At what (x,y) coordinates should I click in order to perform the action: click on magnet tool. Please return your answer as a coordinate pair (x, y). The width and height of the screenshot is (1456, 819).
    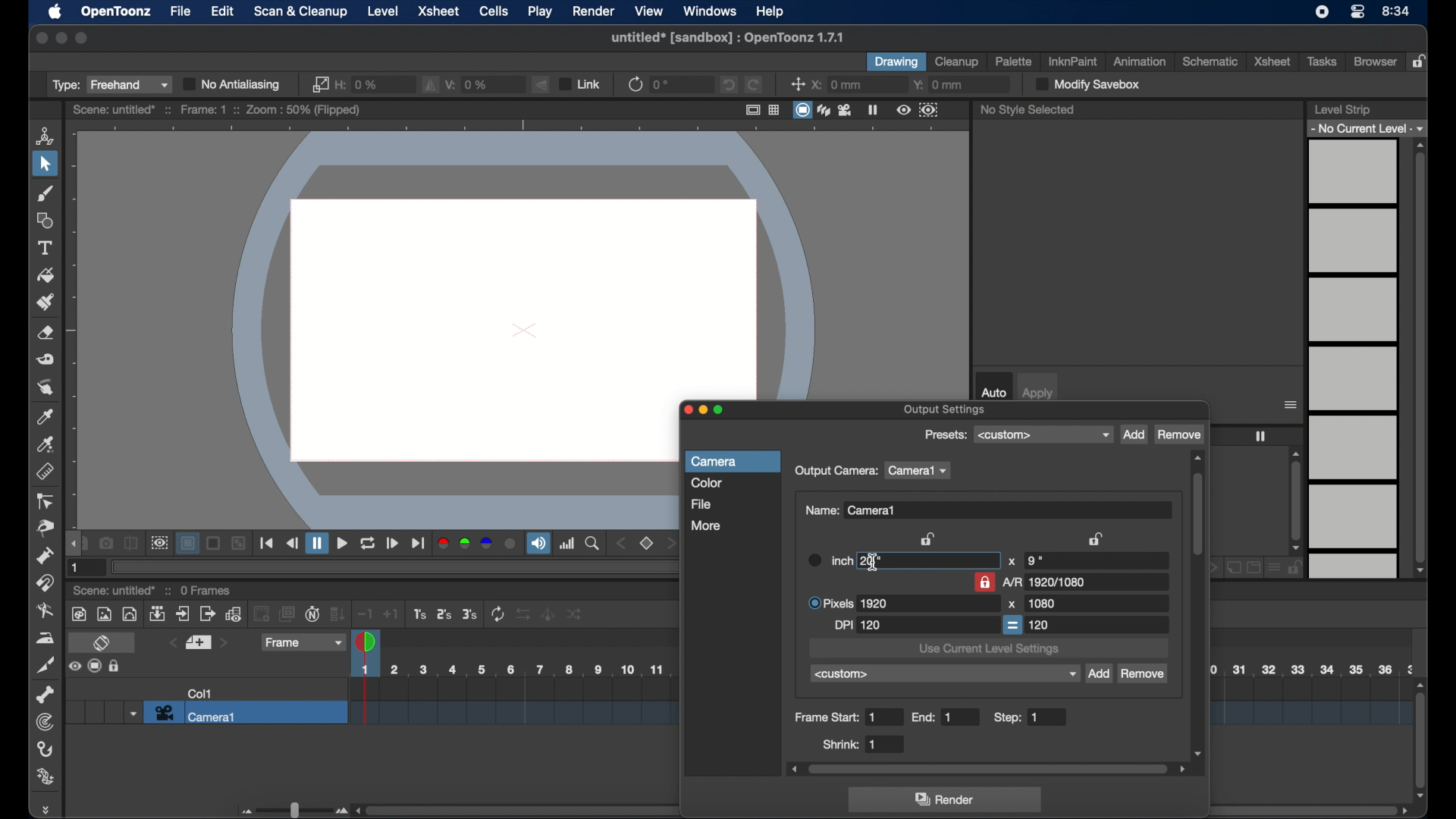
    Looking at the image, I should click on (46, 582).